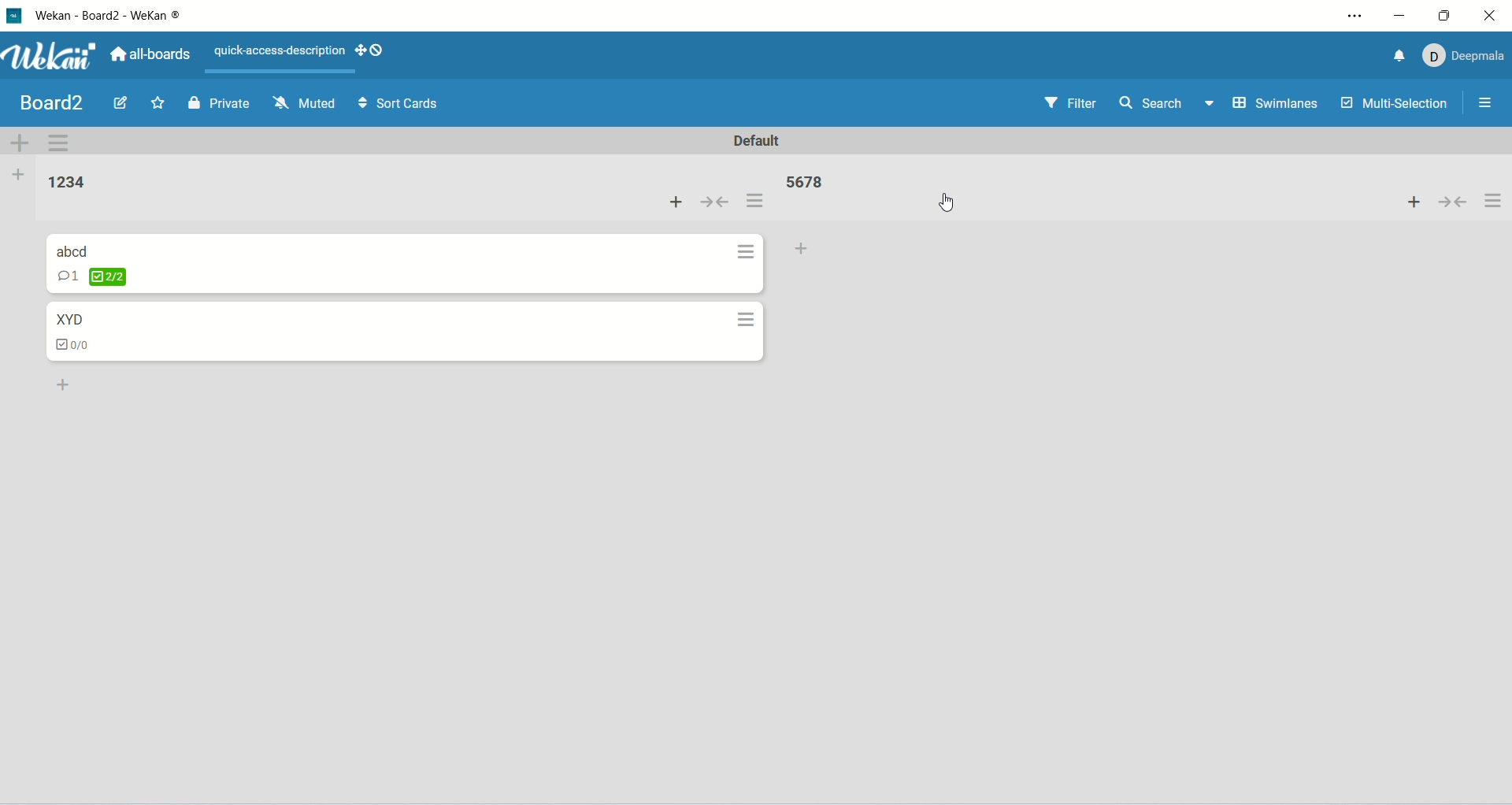  What do you see at coordinates (16, 139) in the screenshot?
I see `add swimlane` at bounding box center [16, 139].